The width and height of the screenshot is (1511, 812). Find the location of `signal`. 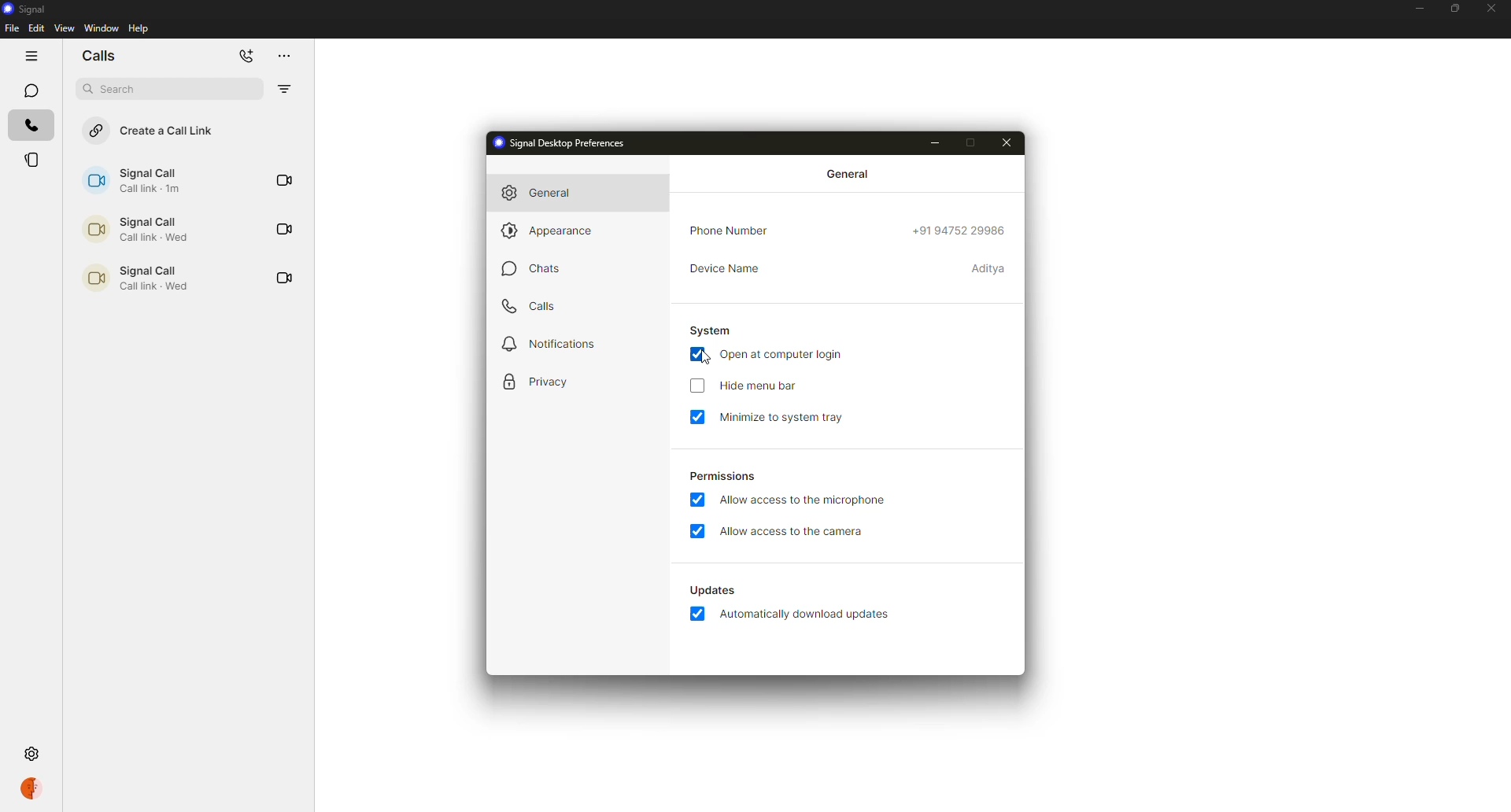

signal is located at coordinates (28, 9).